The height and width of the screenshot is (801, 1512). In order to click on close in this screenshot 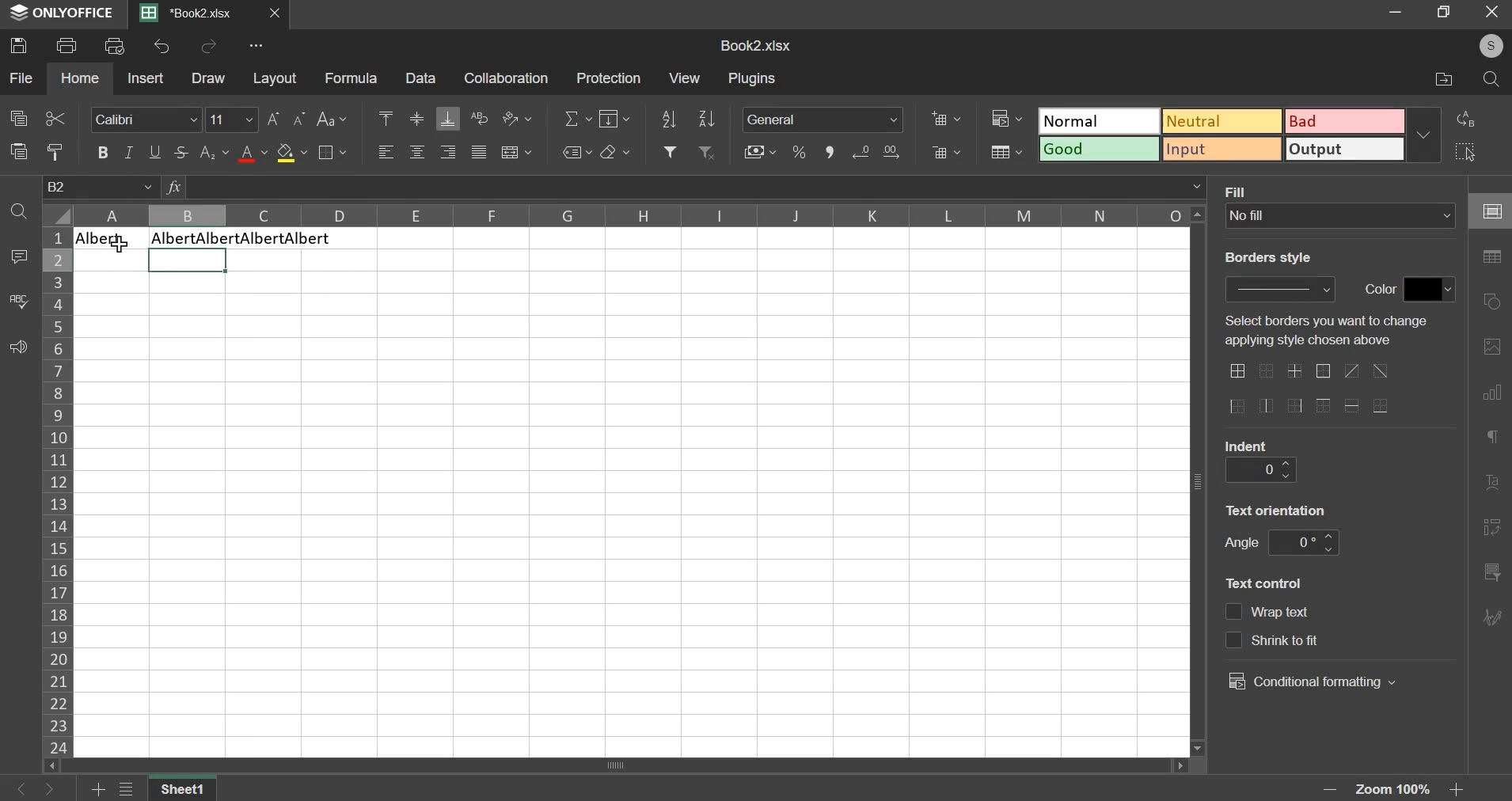, I will do `click(1491, 13)`.